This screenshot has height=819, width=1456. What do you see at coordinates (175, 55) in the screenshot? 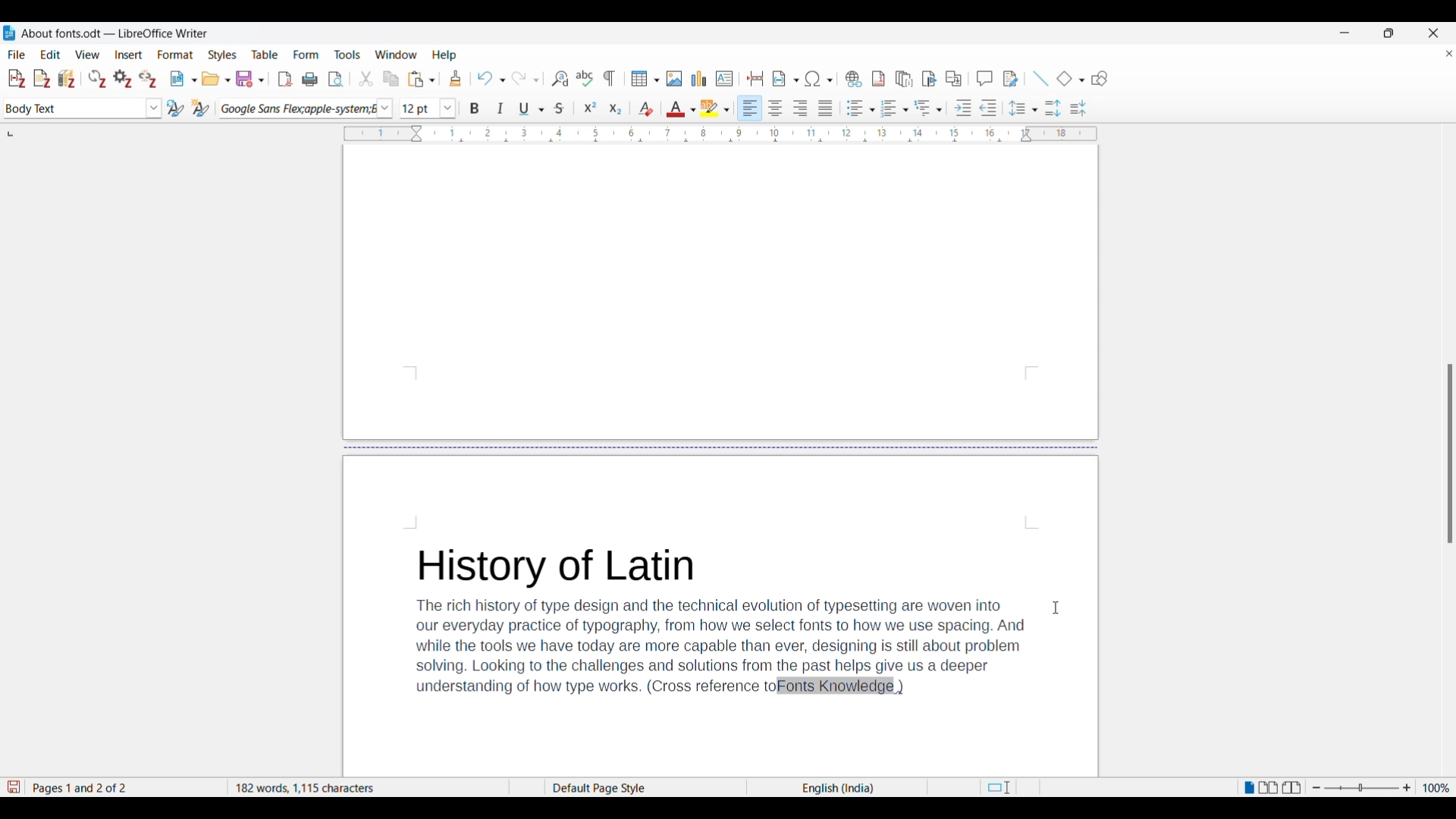
I see `Format menu` at bounding box center [175, 55].